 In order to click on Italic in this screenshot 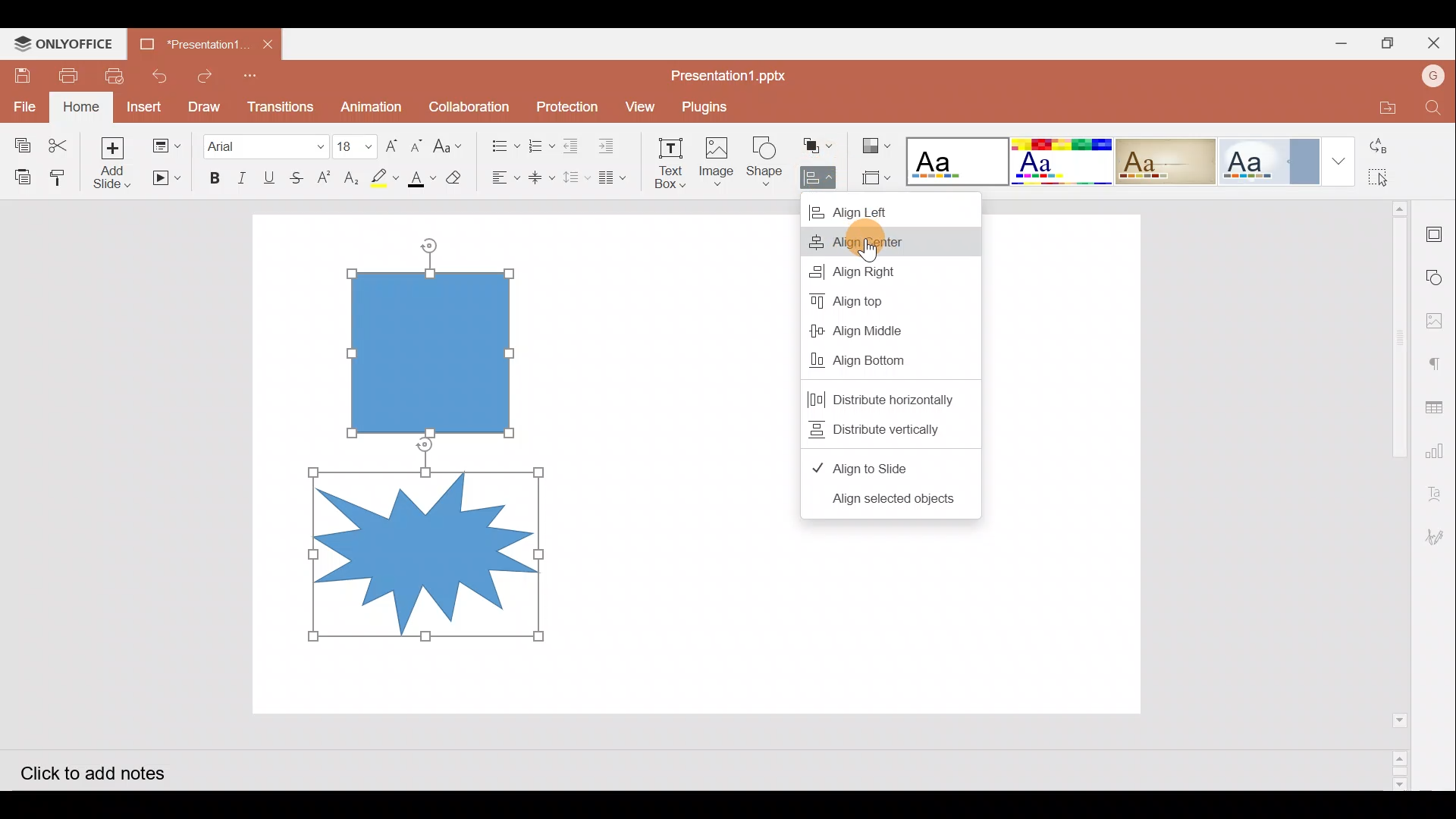, I will do `click(242, 174)`.